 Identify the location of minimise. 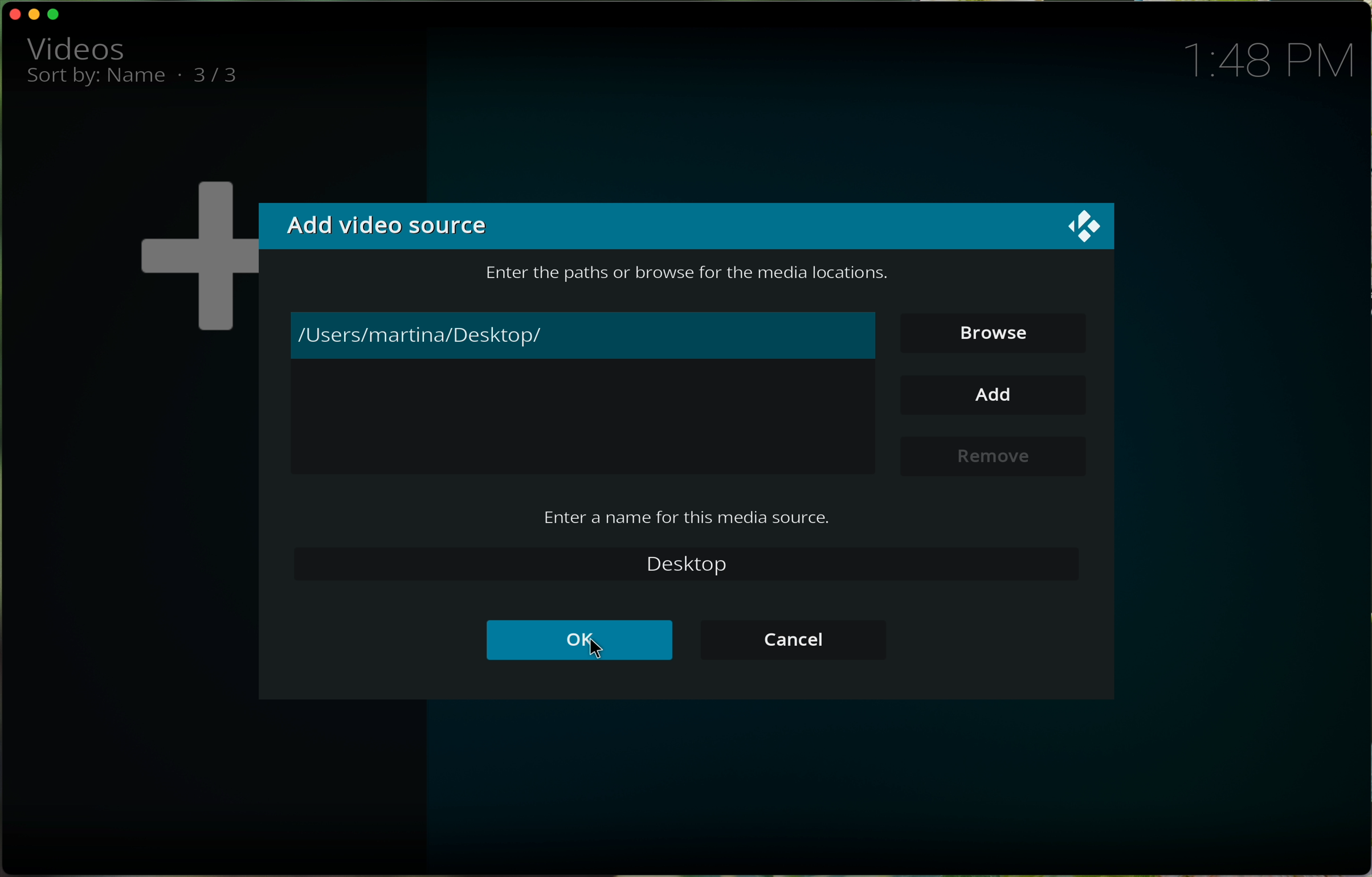
(36, 13).